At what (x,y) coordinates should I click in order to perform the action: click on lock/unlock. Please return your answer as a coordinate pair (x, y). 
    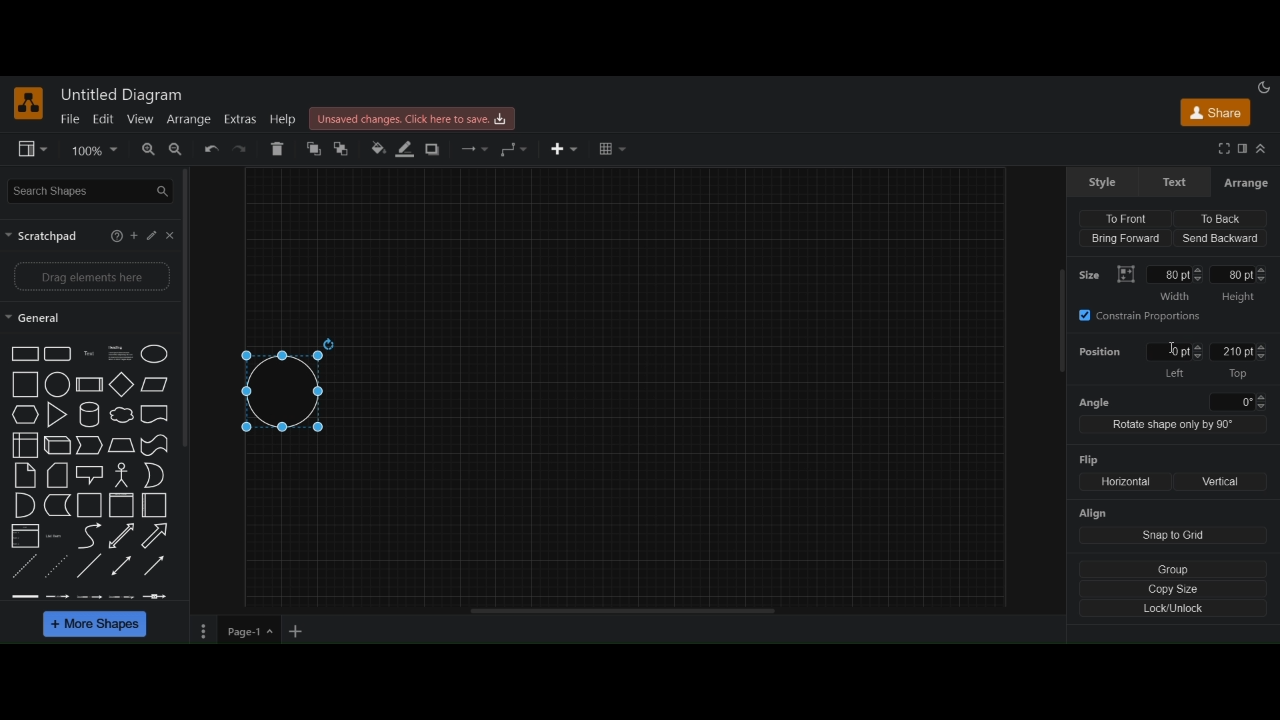
    Looking at the image, I should click on (1175, 609).